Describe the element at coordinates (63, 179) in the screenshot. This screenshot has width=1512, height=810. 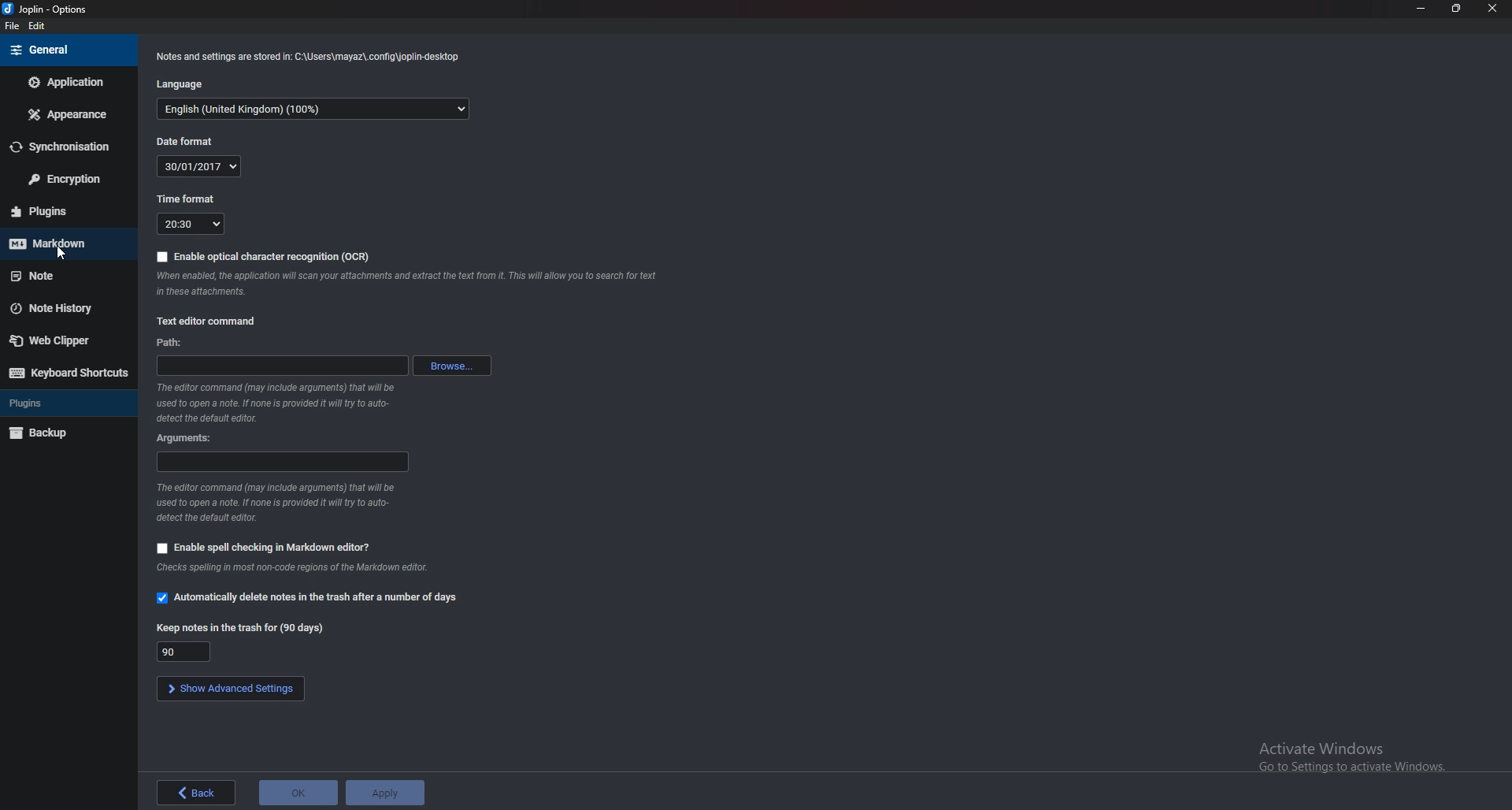
I see `Encryption` at that location.